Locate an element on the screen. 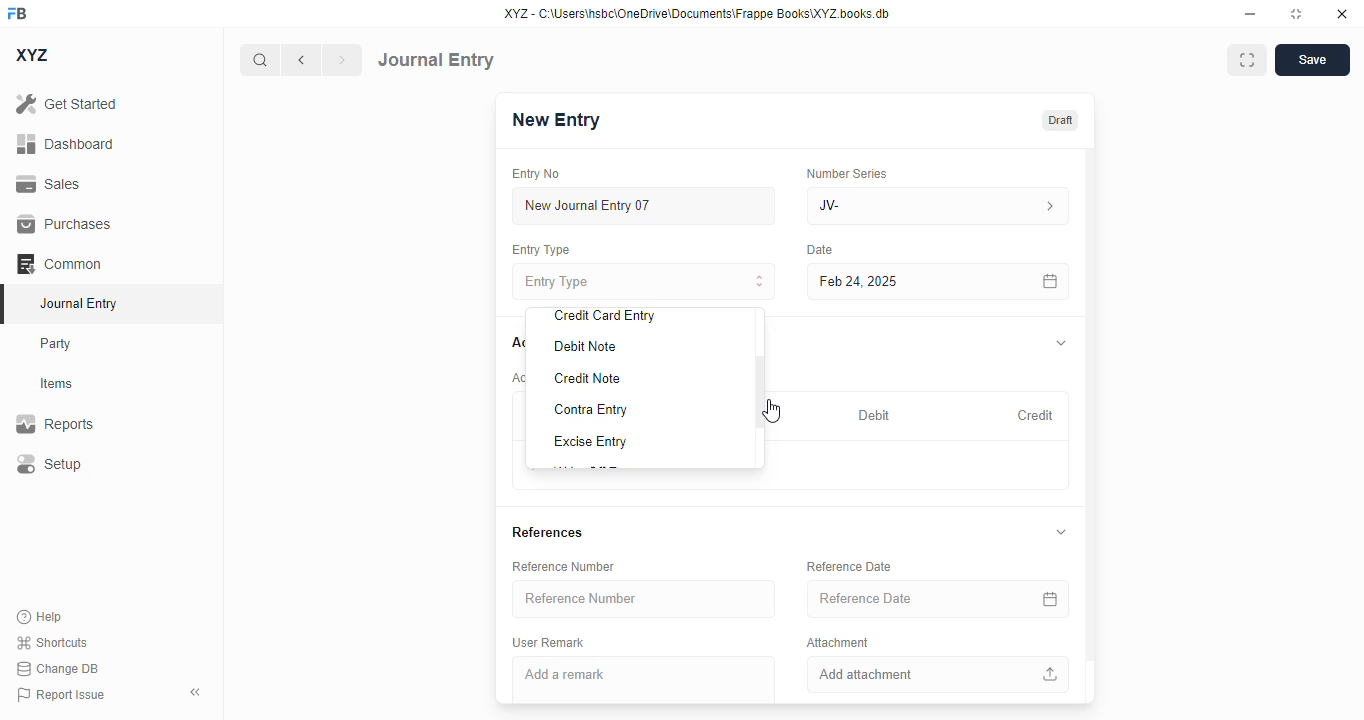 The width and height of the screenshot is (1364, 720). common is located at coordinates (59, 263).